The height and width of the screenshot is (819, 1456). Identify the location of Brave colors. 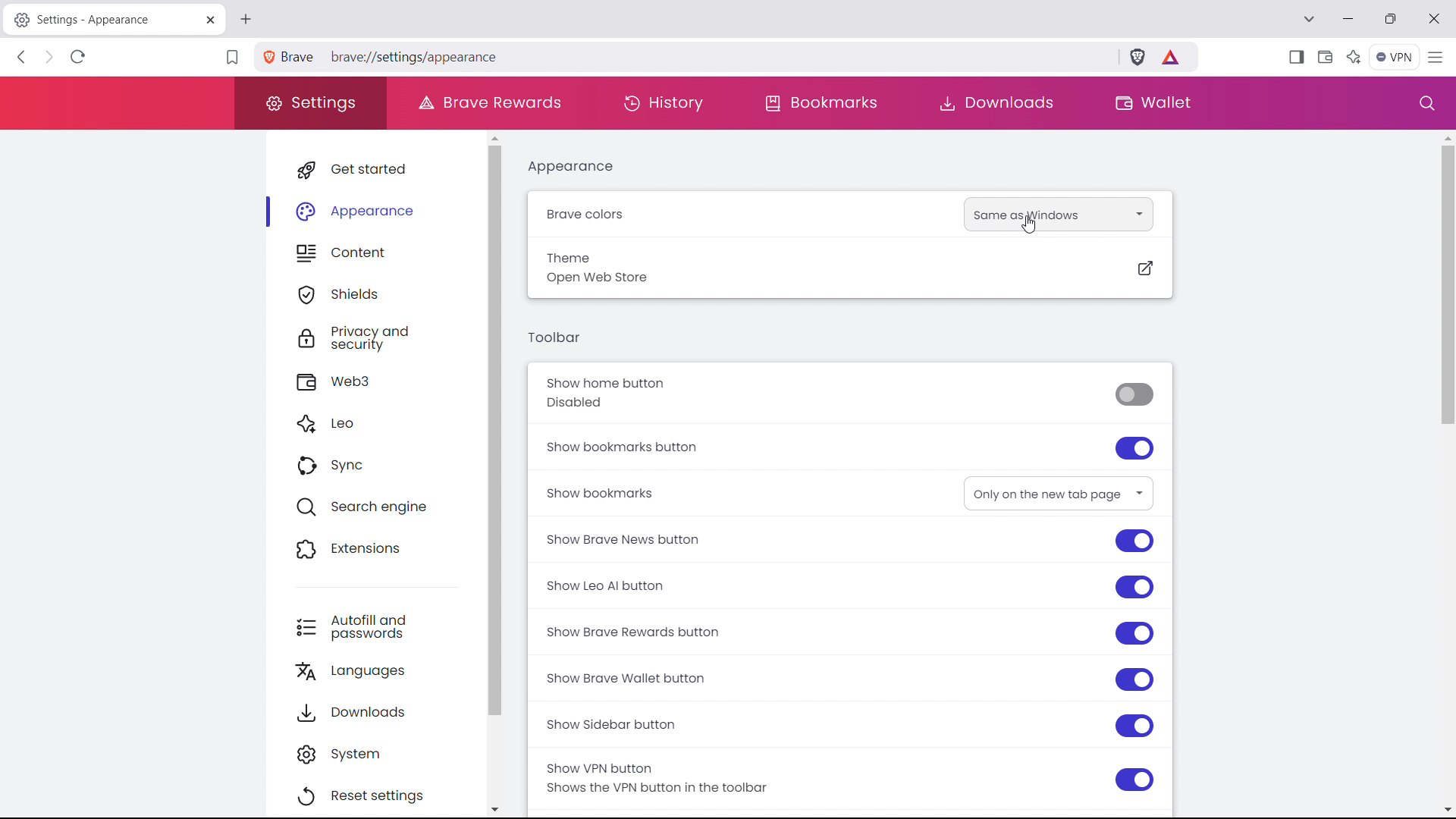
(632, 218).